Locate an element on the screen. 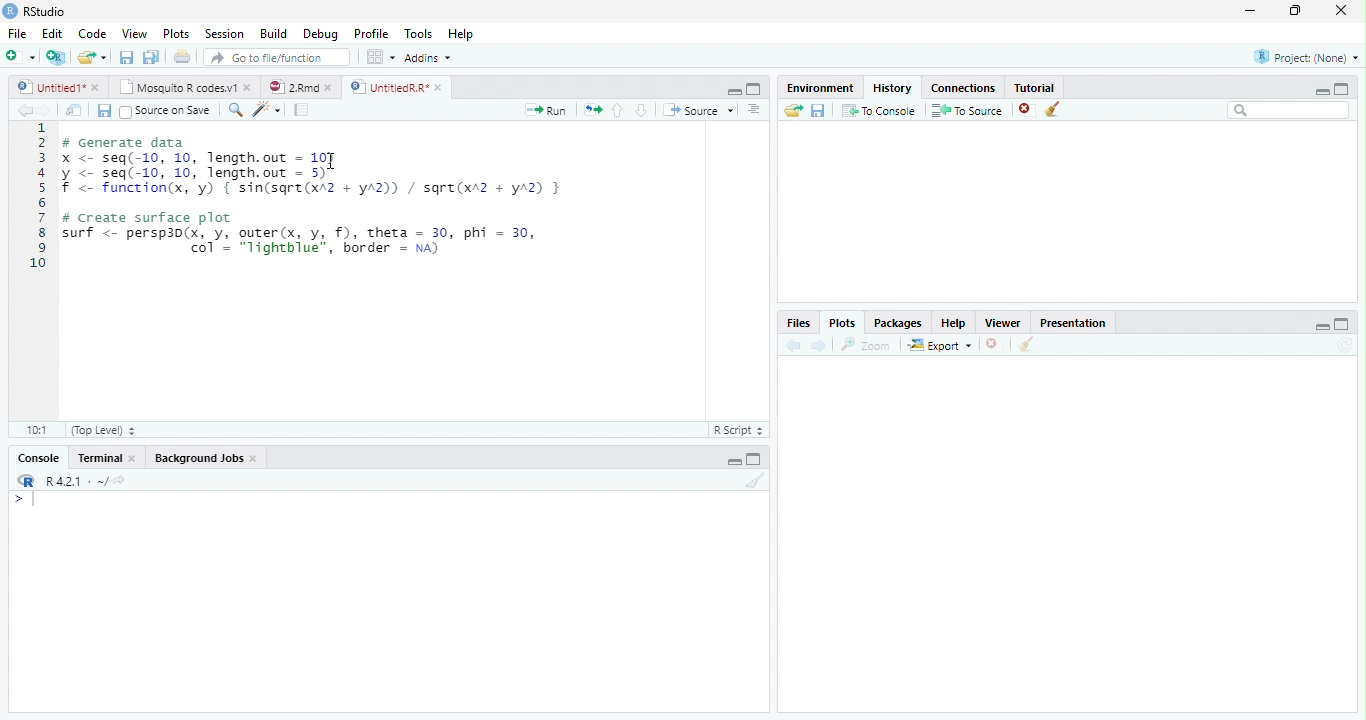 The image size is (1366, 720). Addins is located at coordinates (428, 58).